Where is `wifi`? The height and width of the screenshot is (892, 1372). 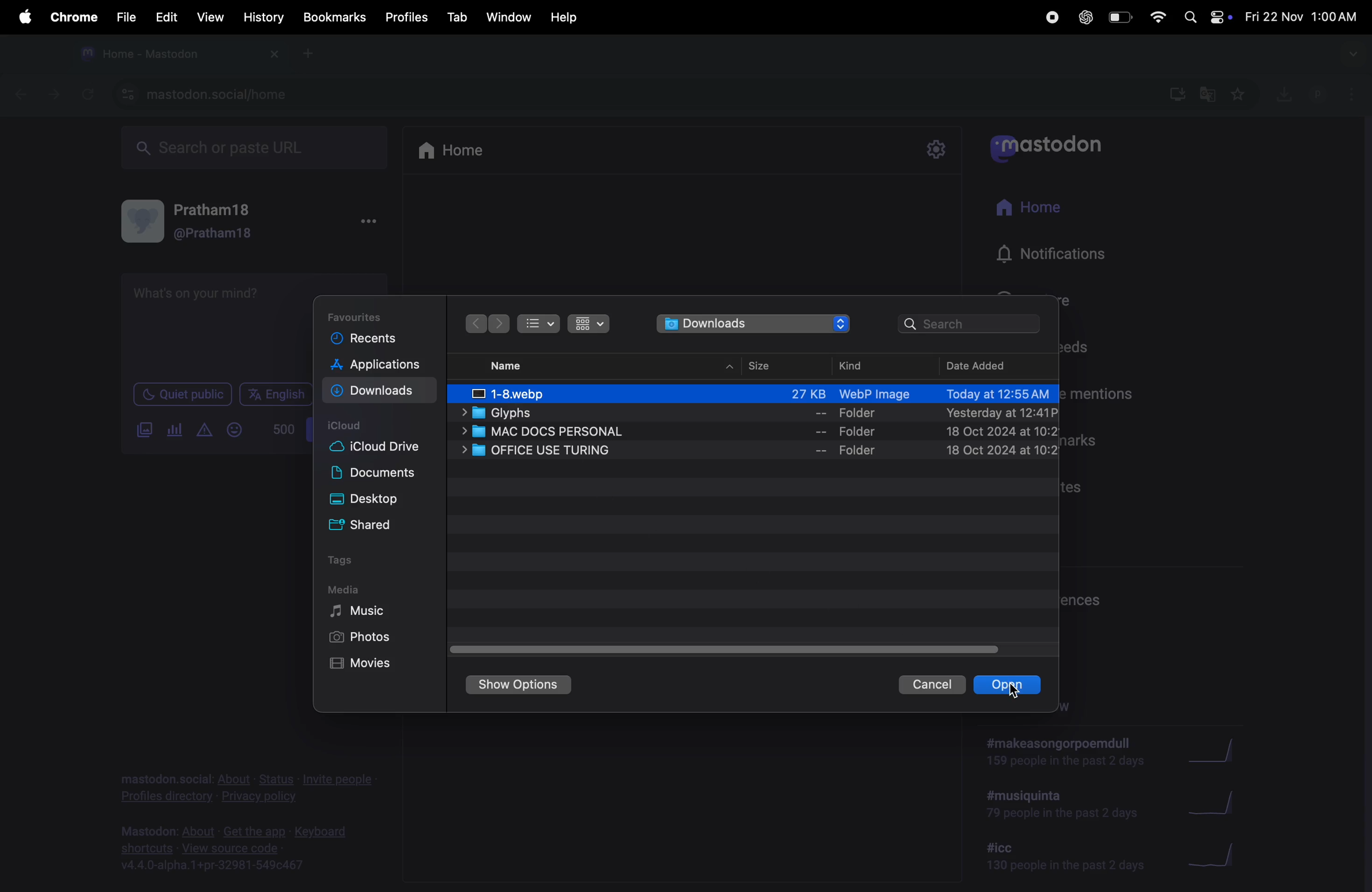 wifi is located at coordinates (1158, 14).